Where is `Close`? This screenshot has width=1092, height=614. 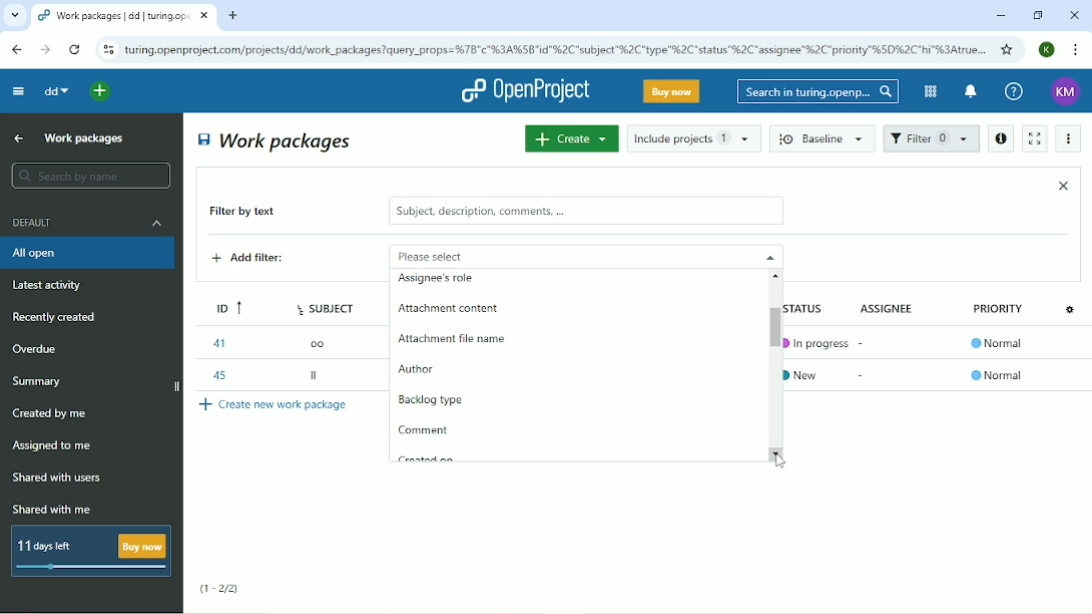 Close is located at coordinates (1074, 15).